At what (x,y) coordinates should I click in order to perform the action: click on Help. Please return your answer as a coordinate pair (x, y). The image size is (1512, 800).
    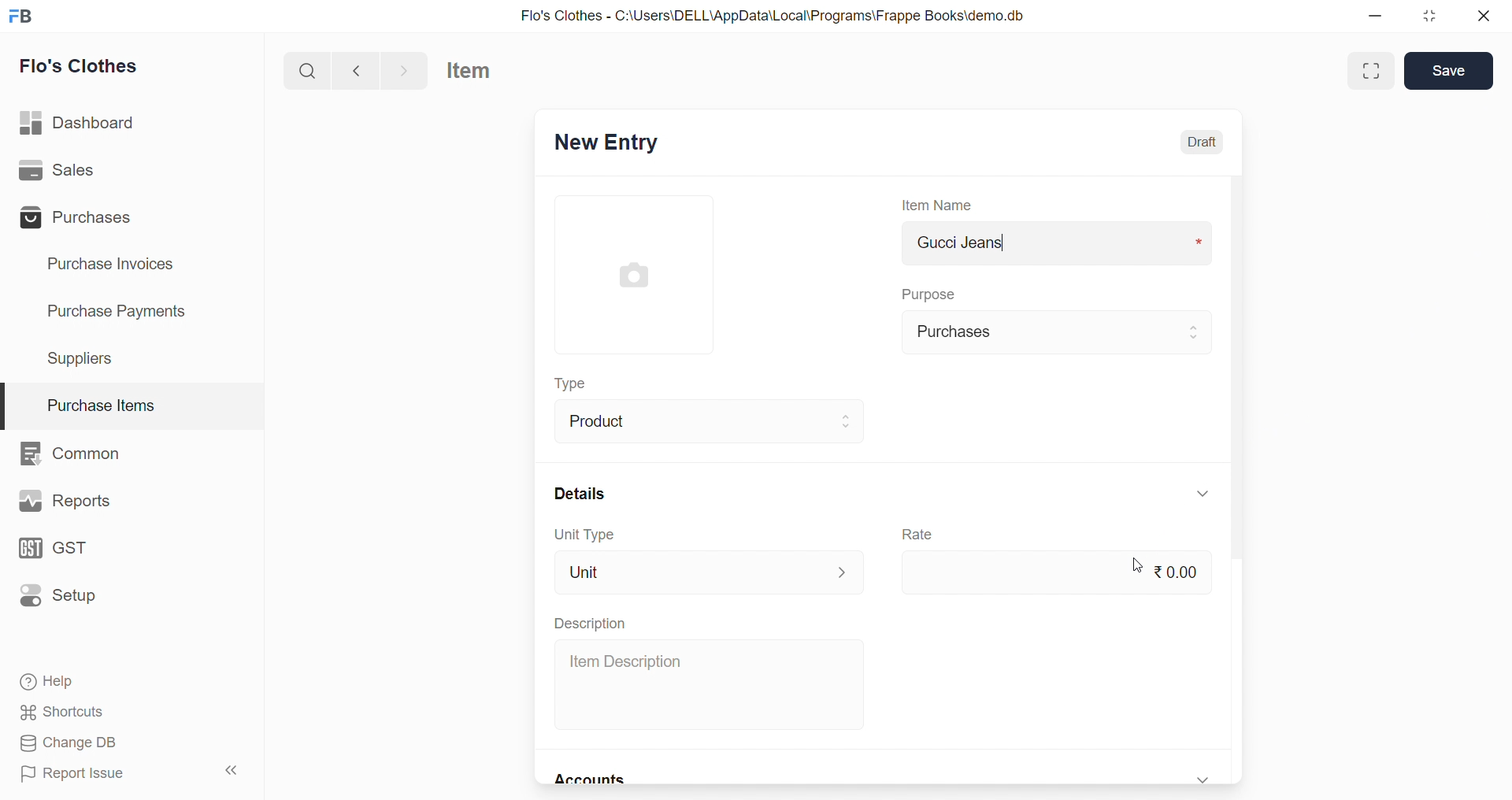
    Looking at the image, I should click on (124, 680).